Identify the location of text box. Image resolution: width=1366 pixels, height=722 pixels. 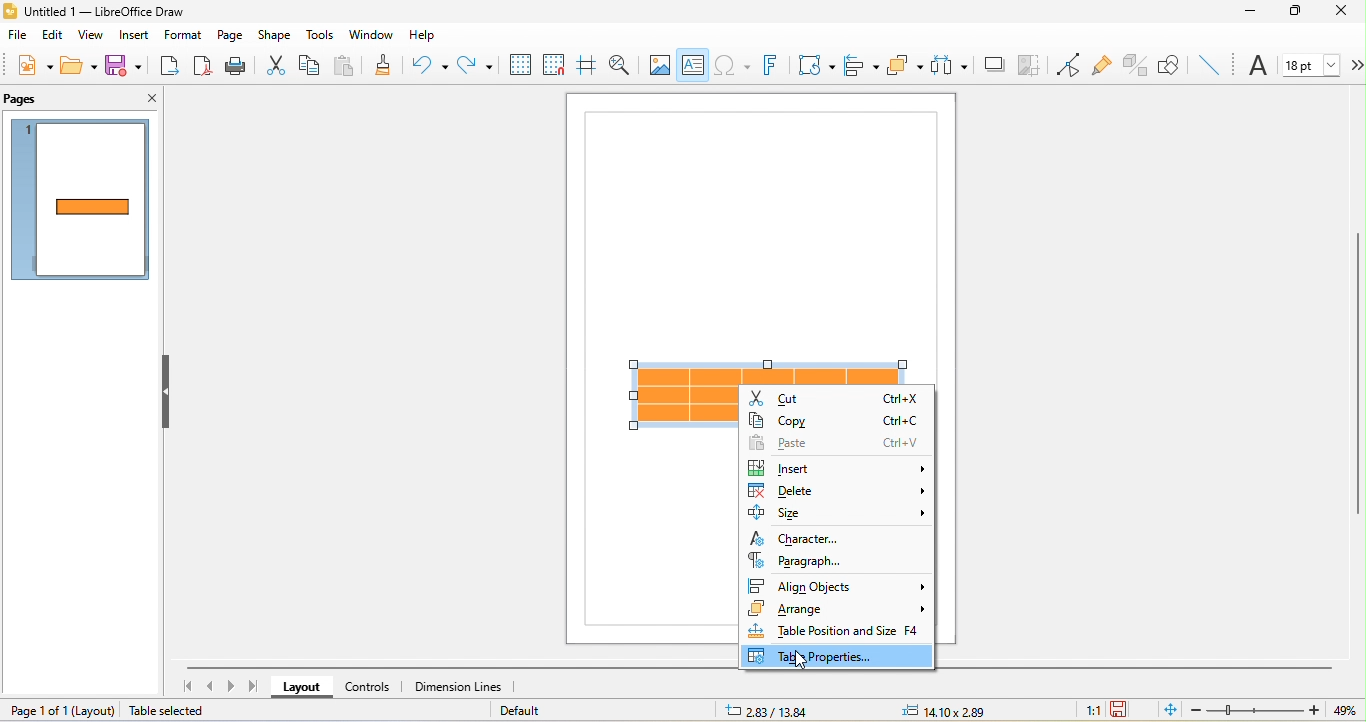
(693, 65).